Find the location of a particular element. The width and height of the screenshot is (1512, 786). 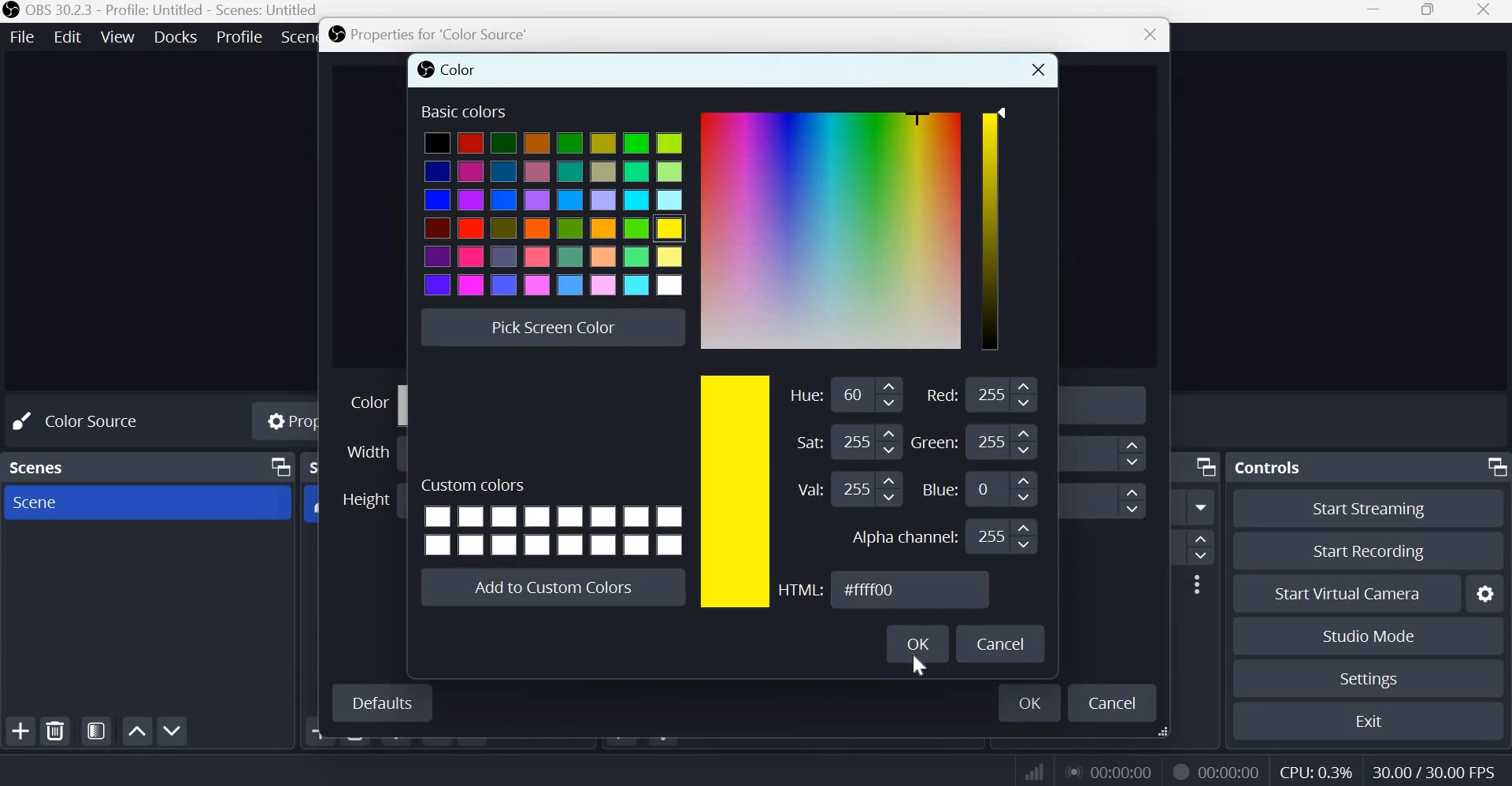

Input is located at coordinates (869, 395).